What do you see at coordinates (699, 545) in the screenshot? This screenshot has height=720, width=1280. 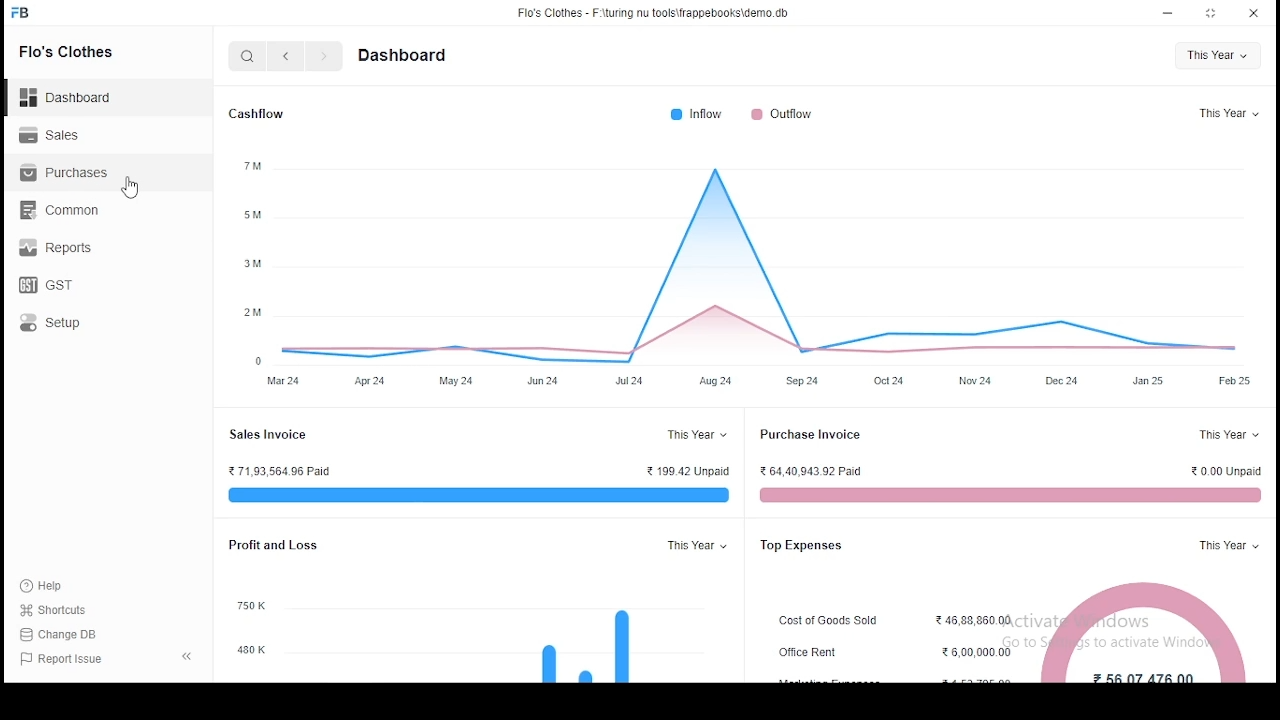 I see `this year` at bounding box center [699, 545].